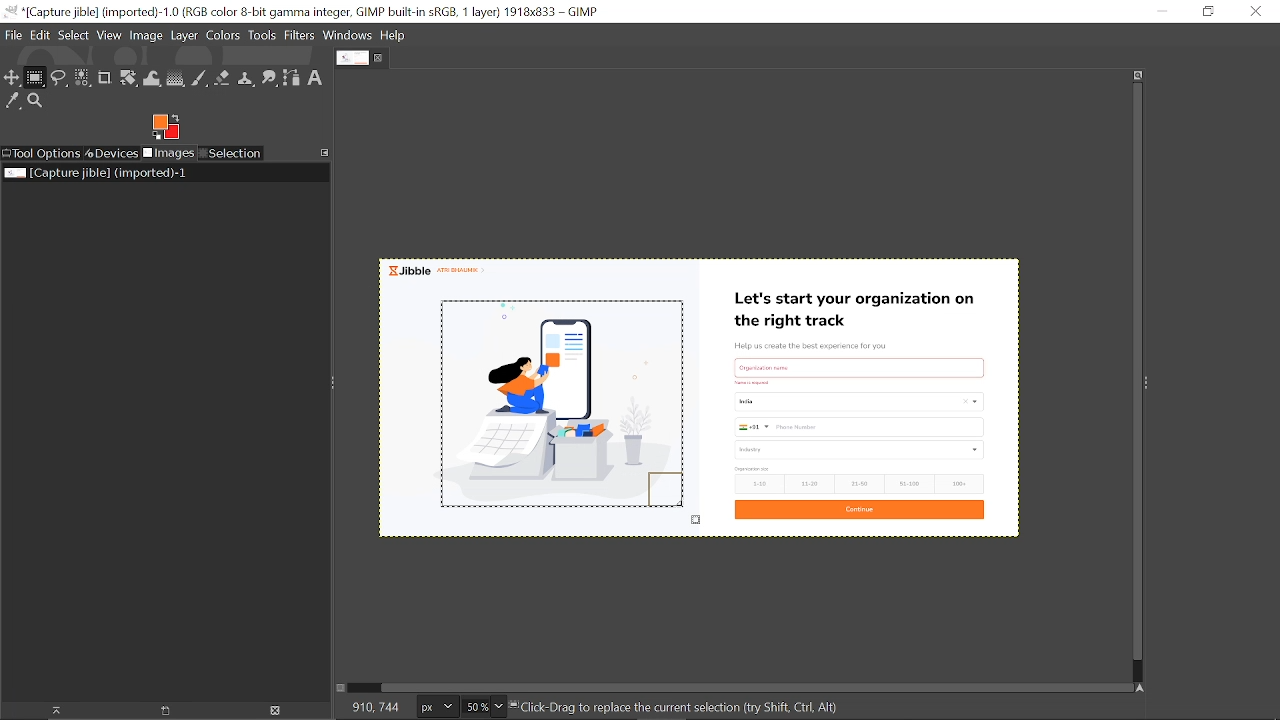  I want to click on Navigate this window, so click(1139, 687).